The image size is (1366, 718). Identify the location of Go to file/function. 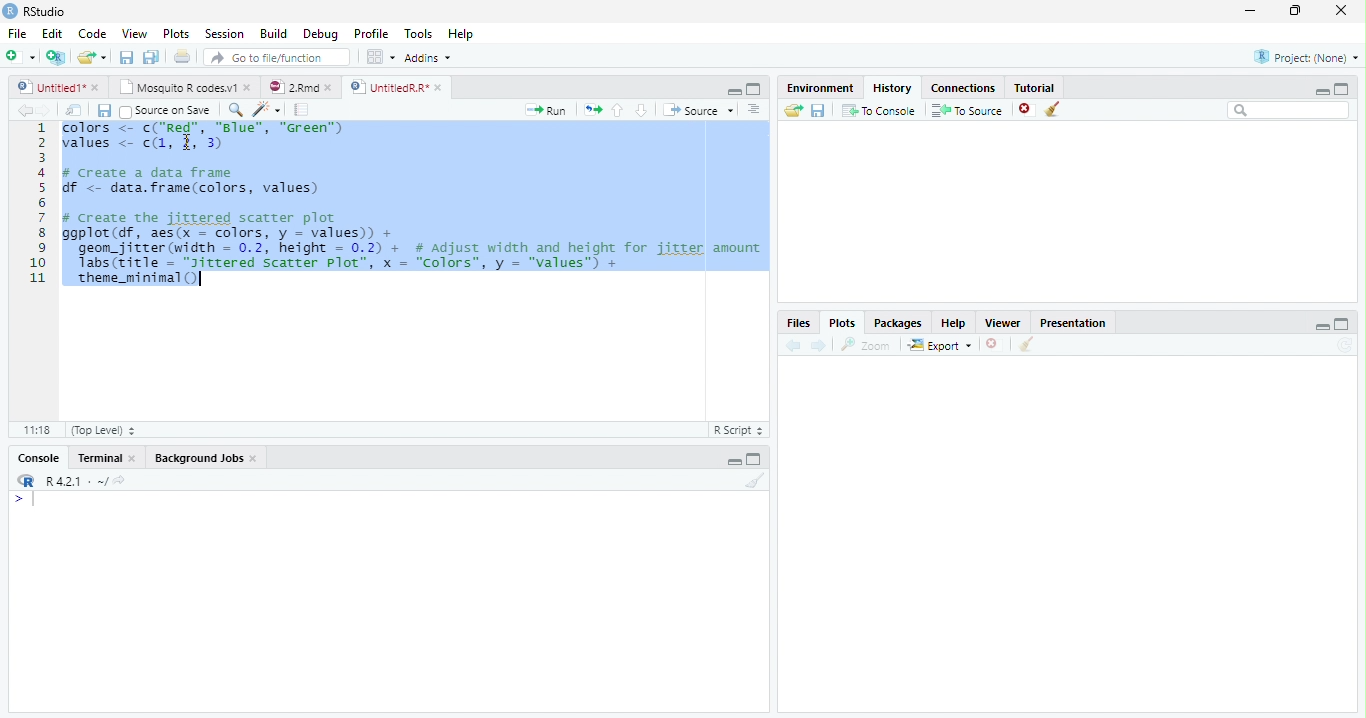
(277, 57).